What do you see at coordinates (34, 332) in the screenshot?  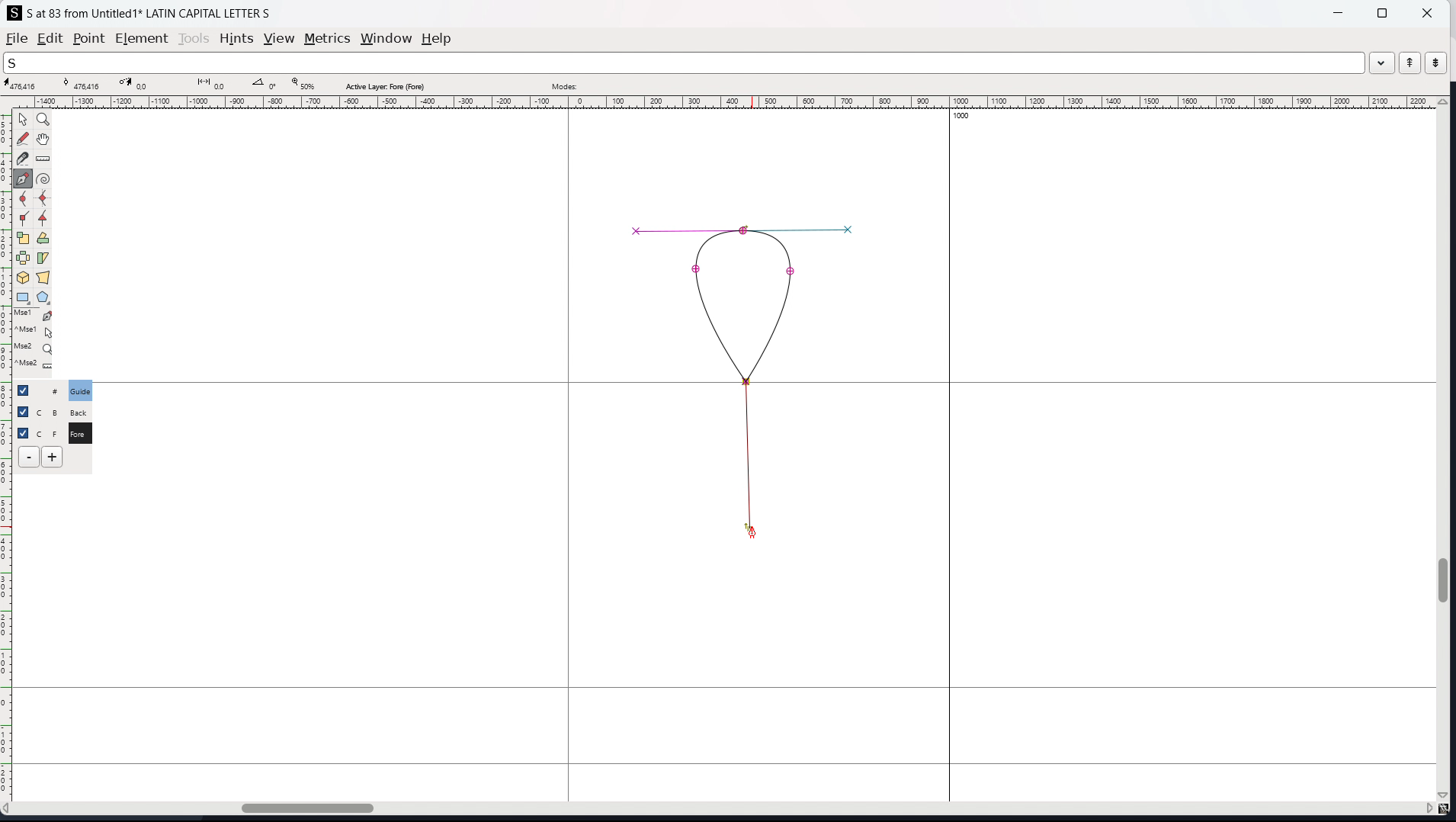 I see `^Mse1` at bounding box center [34, 332].